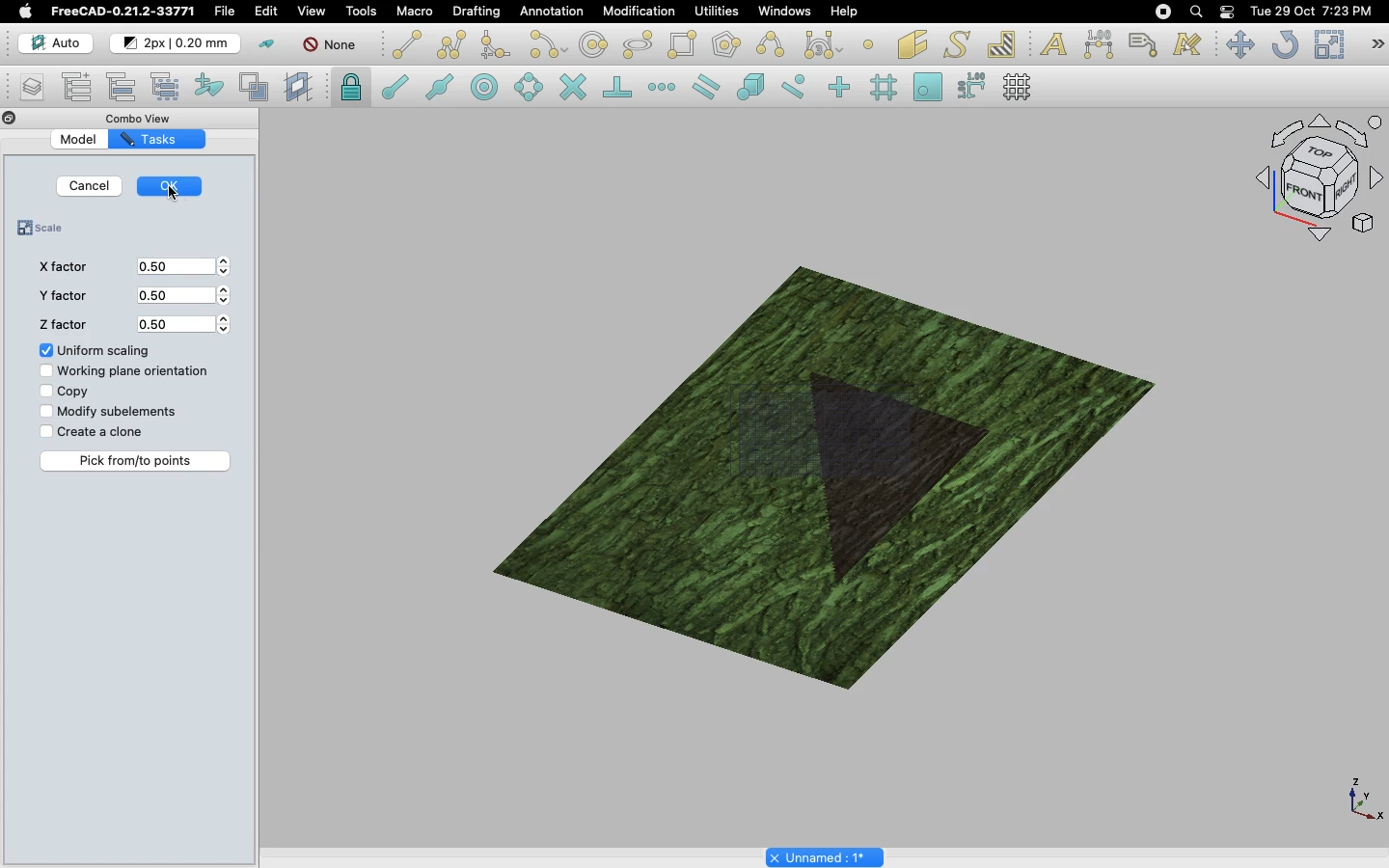 Image resolution: width=1389 pixels, height=868 pixels. Describe the element at coordinates (633, 11) in the screenshot. I see `Modification` at that location.